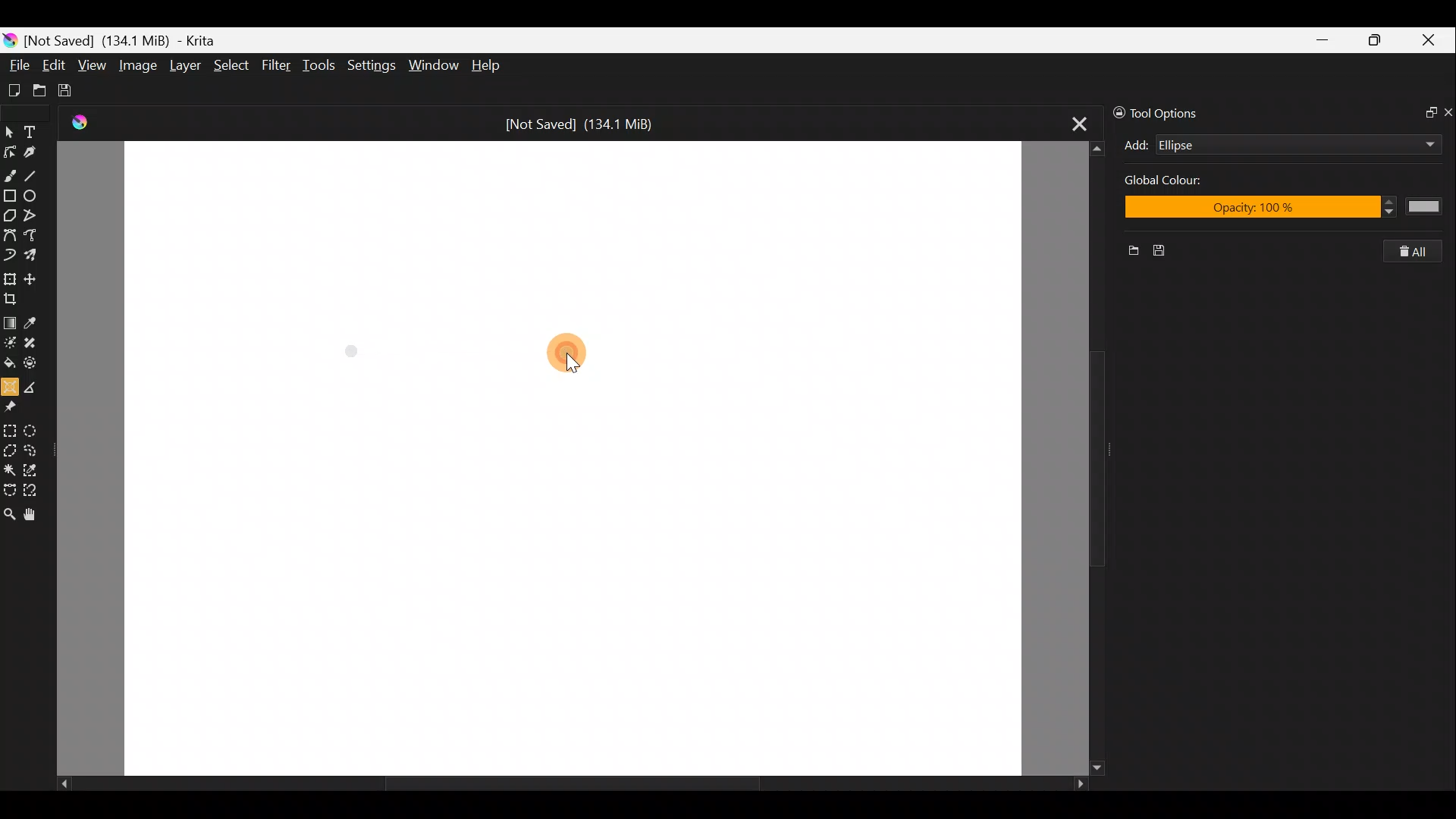 This screenshot has height=819, width=1456. Describe the element at coordinates (1169, 111) in the screenshot. I see `Tool options` at that location.